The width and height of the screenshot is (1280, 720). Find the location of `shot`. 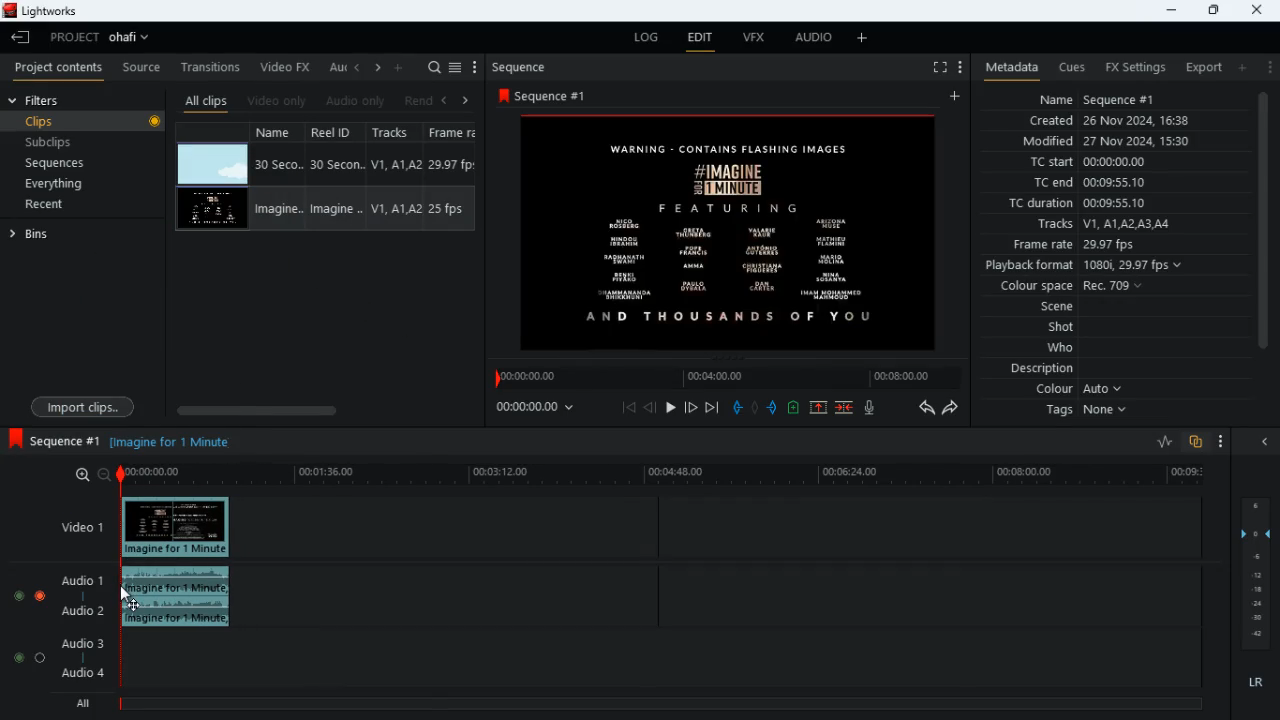

shot is located at coordinates (1063, 329).